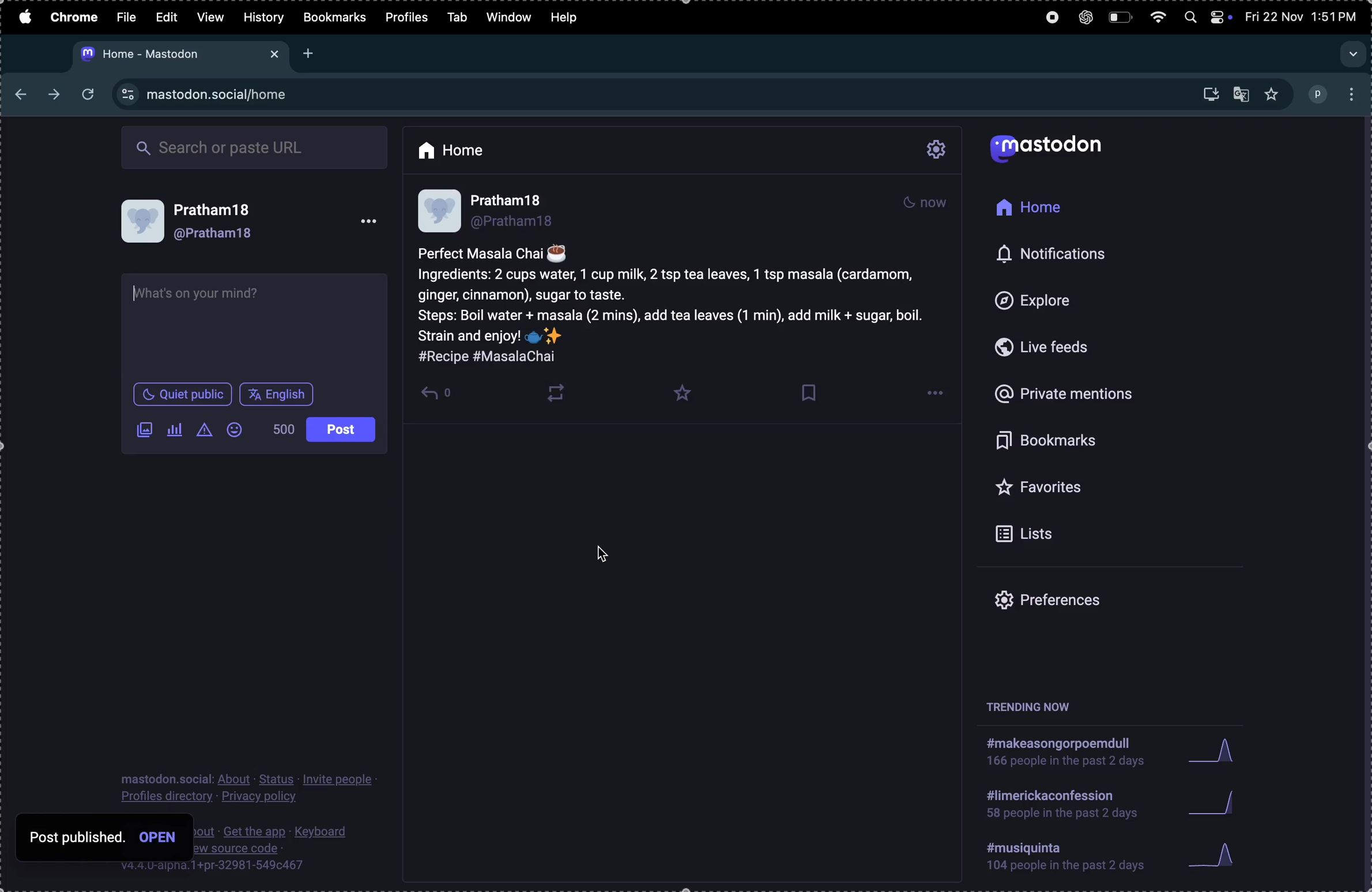 Image resolution: width=1372 pixels, height=892 pixels. I want to click on prefrences, so click(1071, 599).